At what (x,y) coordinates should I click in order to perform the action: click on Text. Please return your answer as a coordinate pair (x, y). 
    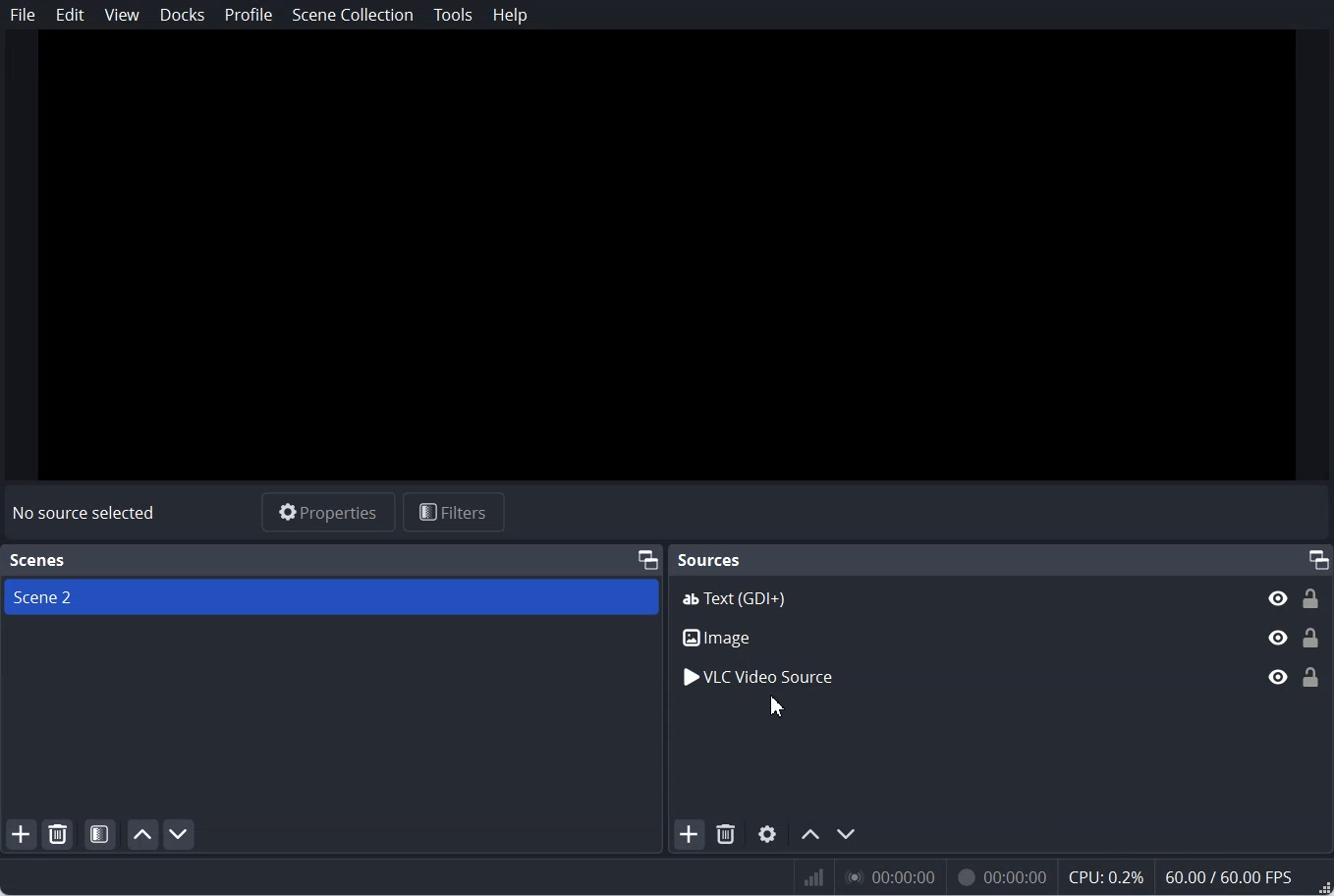
    Looking at the image, I should click on (710, 561).